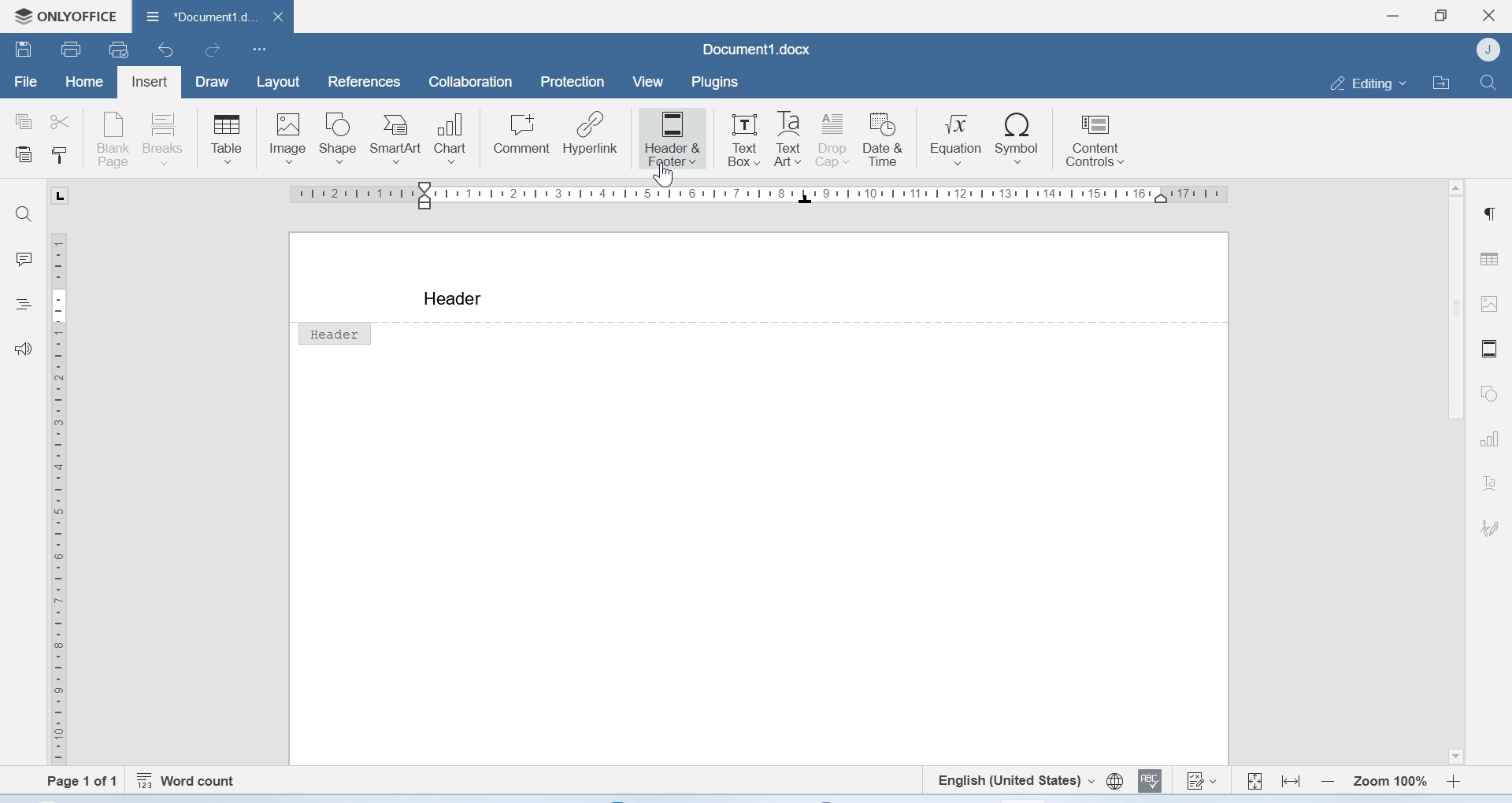 Image resolution: width=1512 pixels, height=803 pixels. Describe the element at coordinates (361, 81) in the screenshot. I see `References` at that location.